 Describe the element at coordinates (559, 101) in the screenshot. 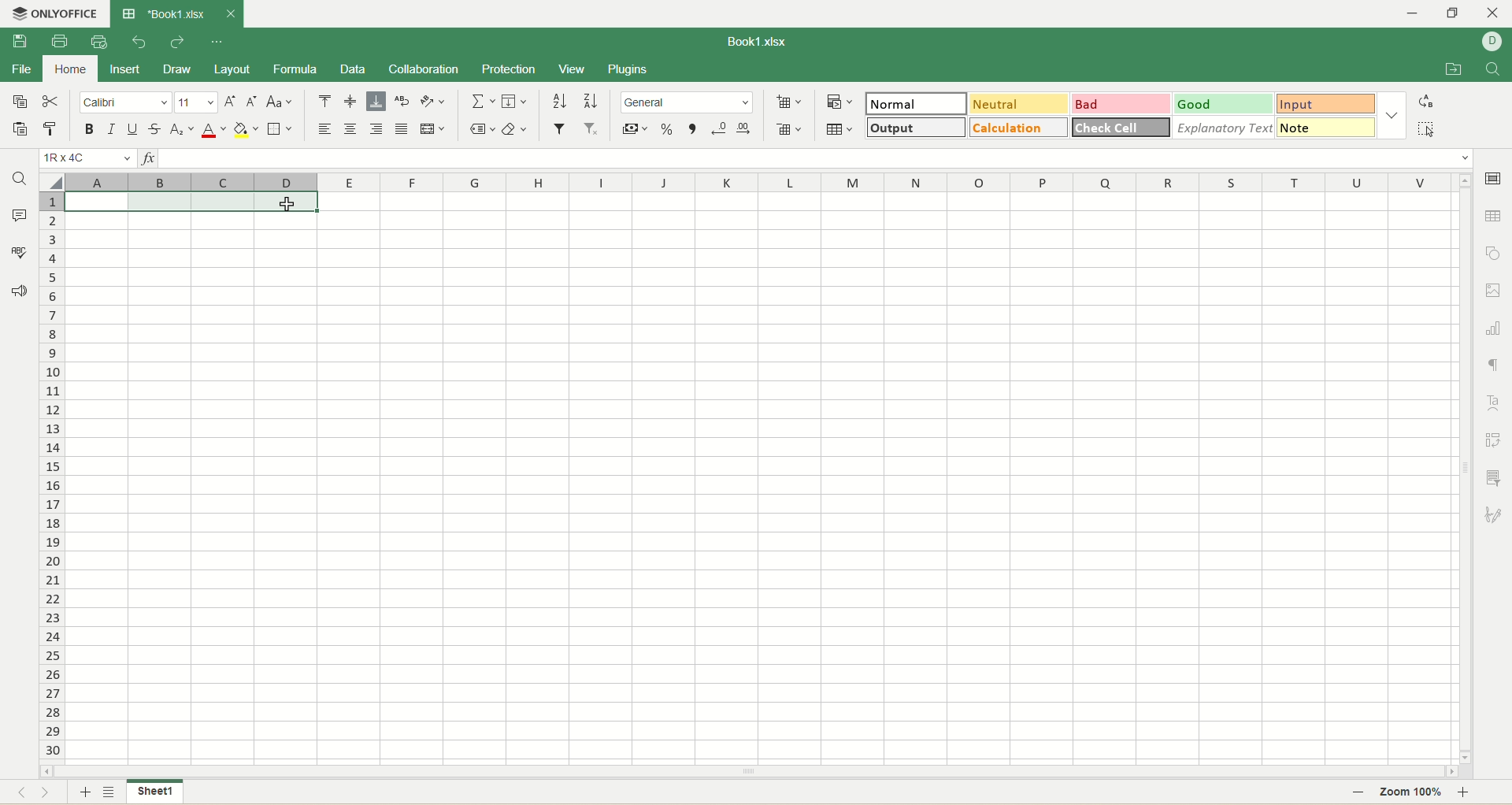

I see `sort ascending` at that location.